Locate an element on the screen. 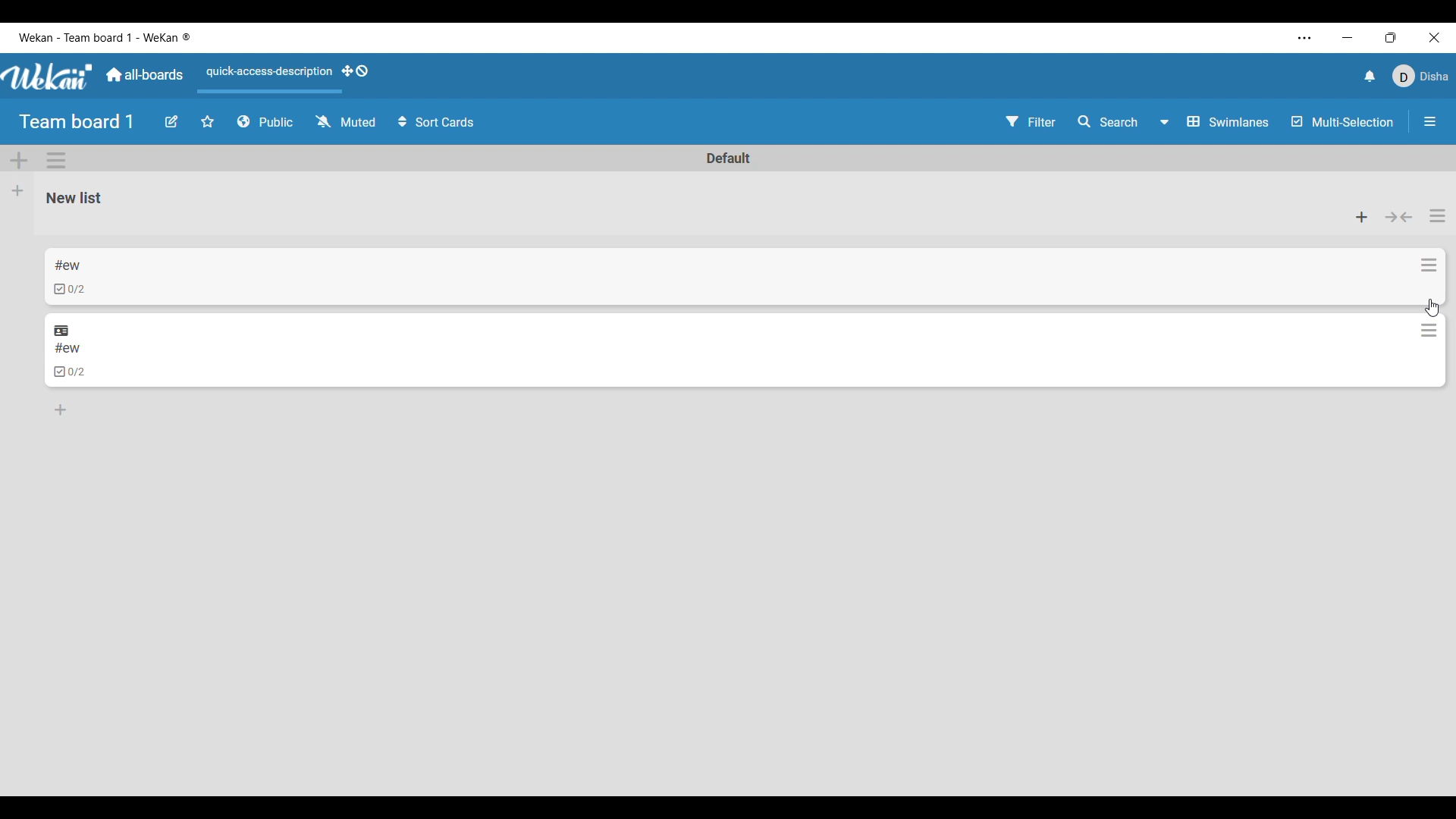 The height and width of the screenshot is (819, 1456). More settings is located at coordinates (1305, 39).